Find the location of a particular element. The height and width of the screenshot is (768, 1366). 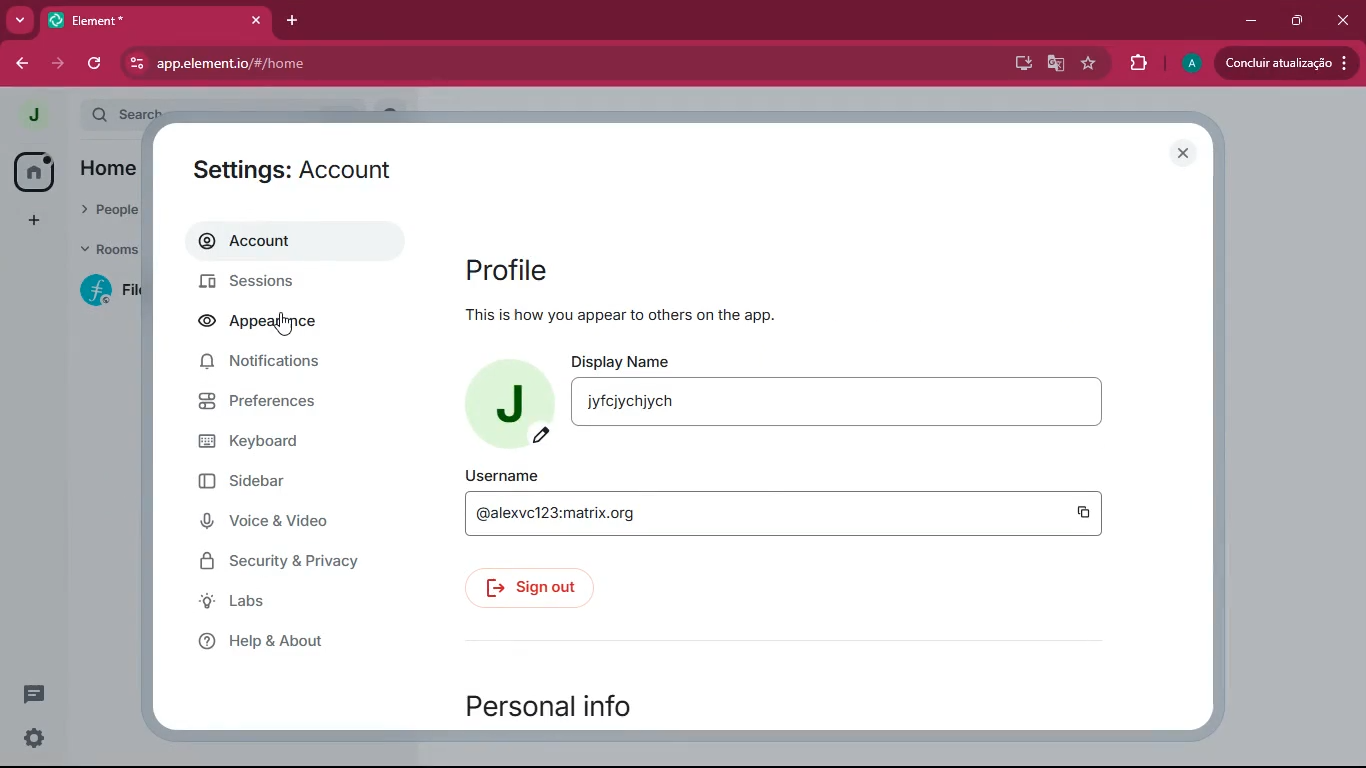

more is located at coordinates (22, 21).